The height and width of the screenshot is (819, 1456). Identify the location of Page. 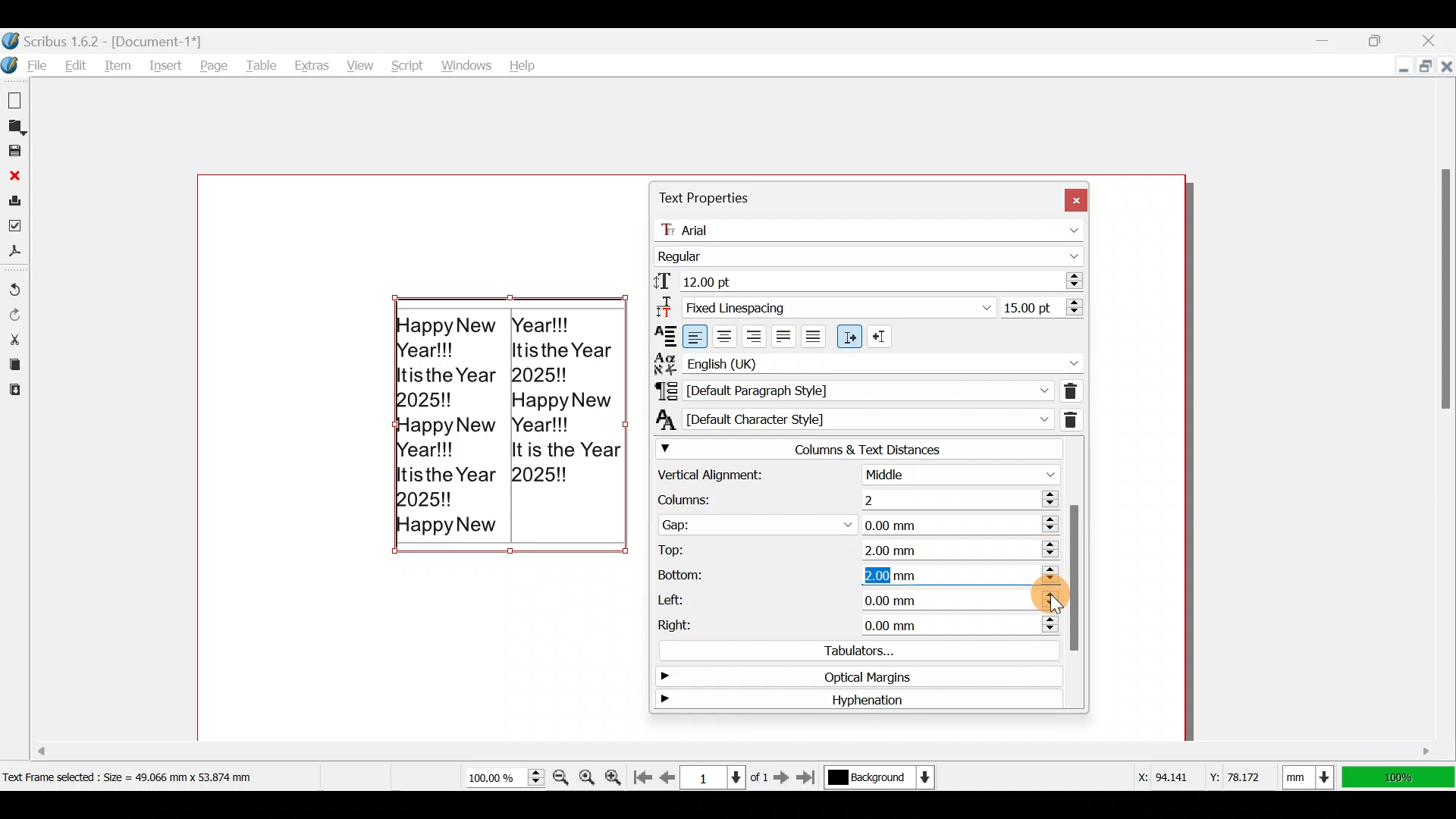
(217, 64).